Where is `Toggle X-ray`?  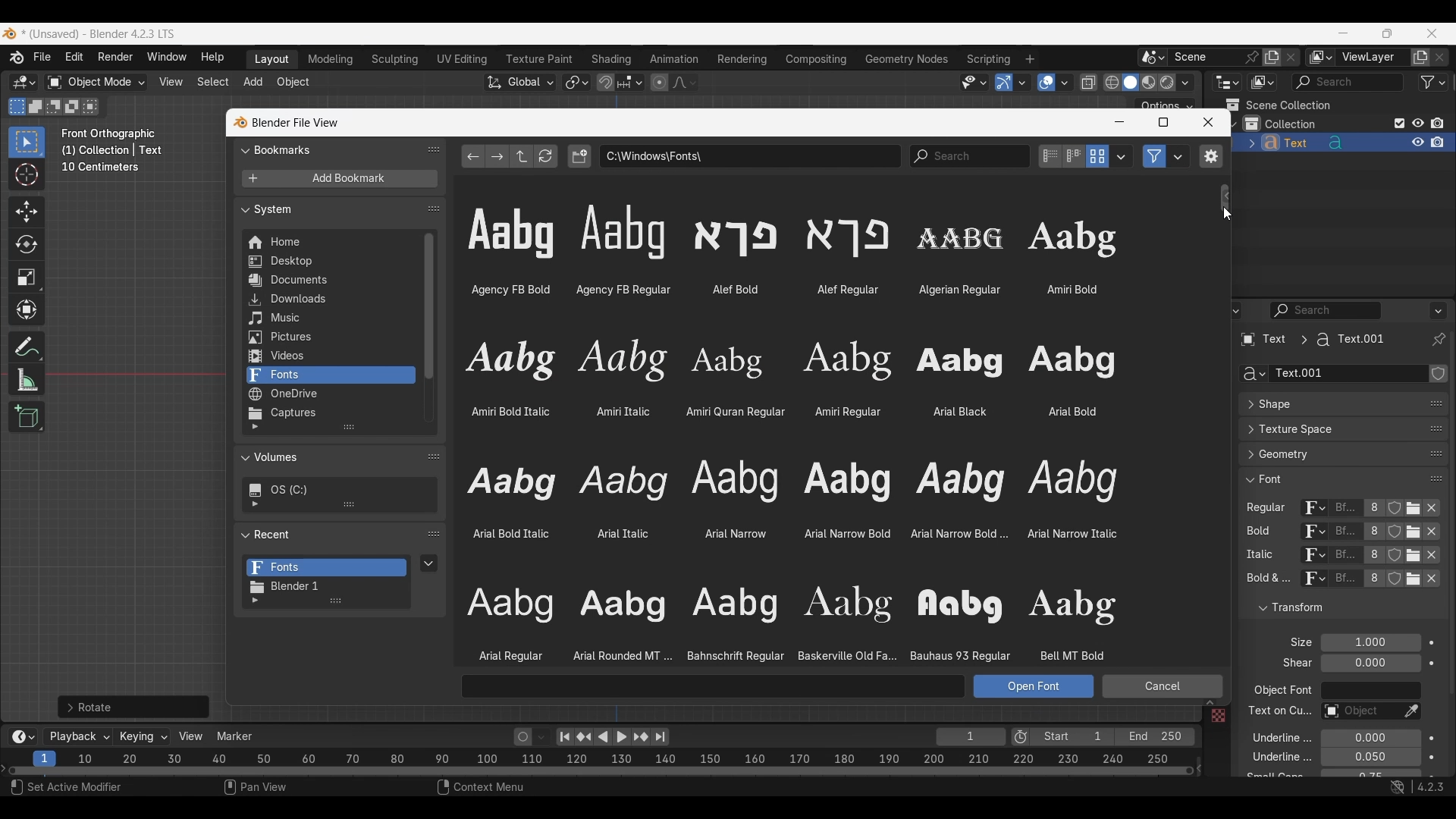 Toggle X-ray is located at coordinates (1089, 83).